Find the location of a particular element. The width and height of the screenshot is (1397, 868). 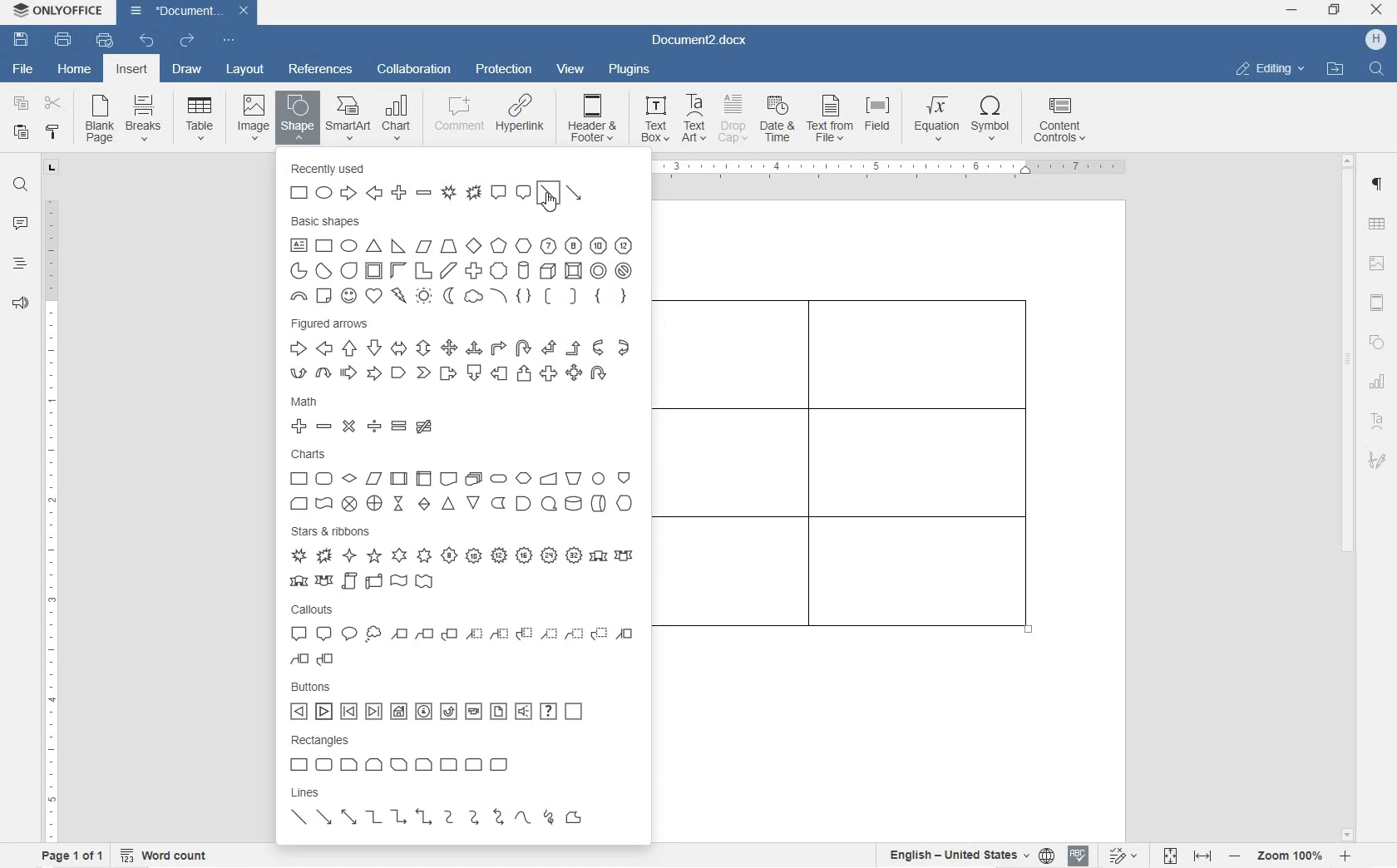

INSERT SHAPE is located at coordinates (297, 121).